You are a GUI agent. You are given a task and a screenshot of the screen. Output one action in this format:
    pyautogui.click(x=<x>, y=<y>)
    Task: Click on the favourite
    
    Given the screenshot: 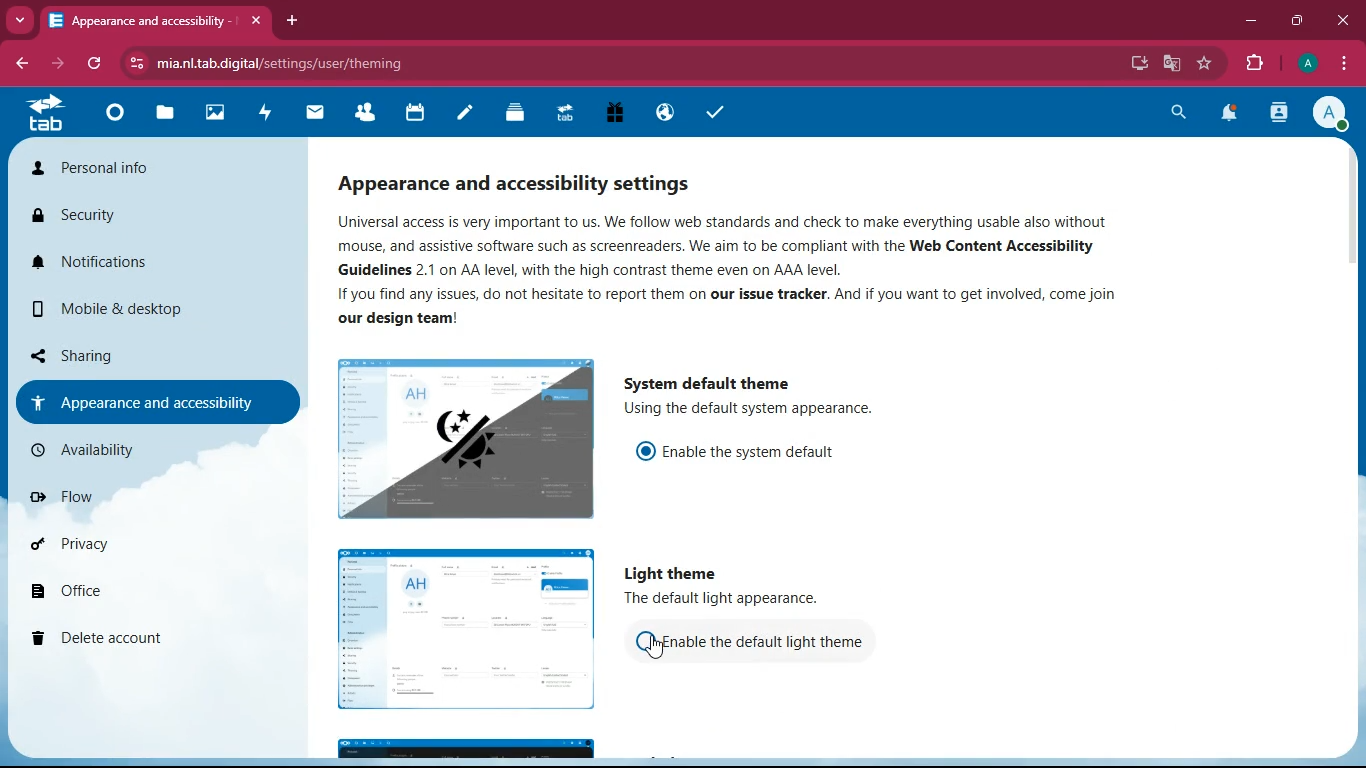 What is the action you would take?
    pyautogui.click(x=1207, y=61)
    